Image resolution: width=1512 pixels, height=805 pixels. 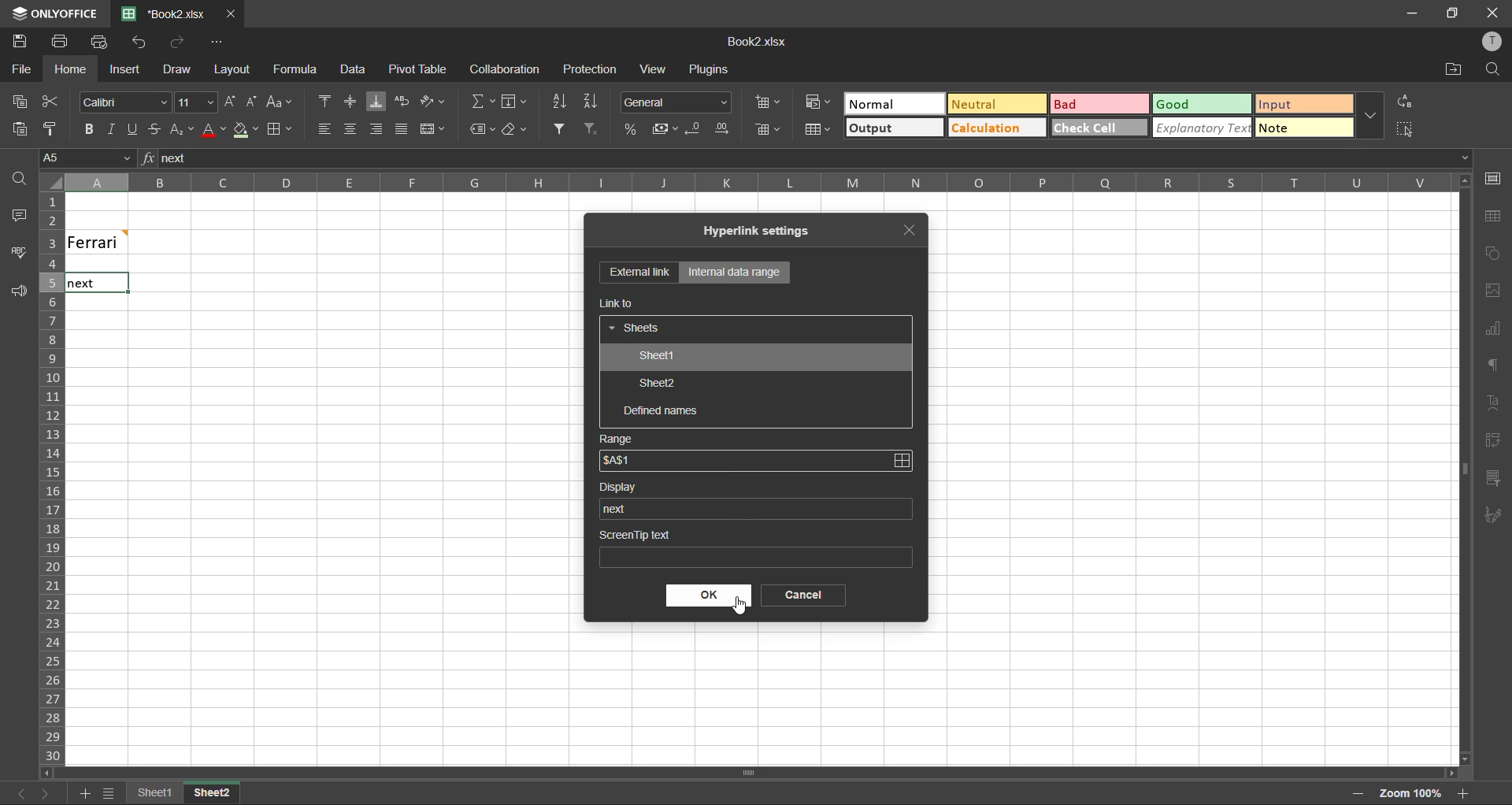 What do you see at coordinates (229, 69) in the screenshot?
I see `layout` at bounding box center [229, 69].